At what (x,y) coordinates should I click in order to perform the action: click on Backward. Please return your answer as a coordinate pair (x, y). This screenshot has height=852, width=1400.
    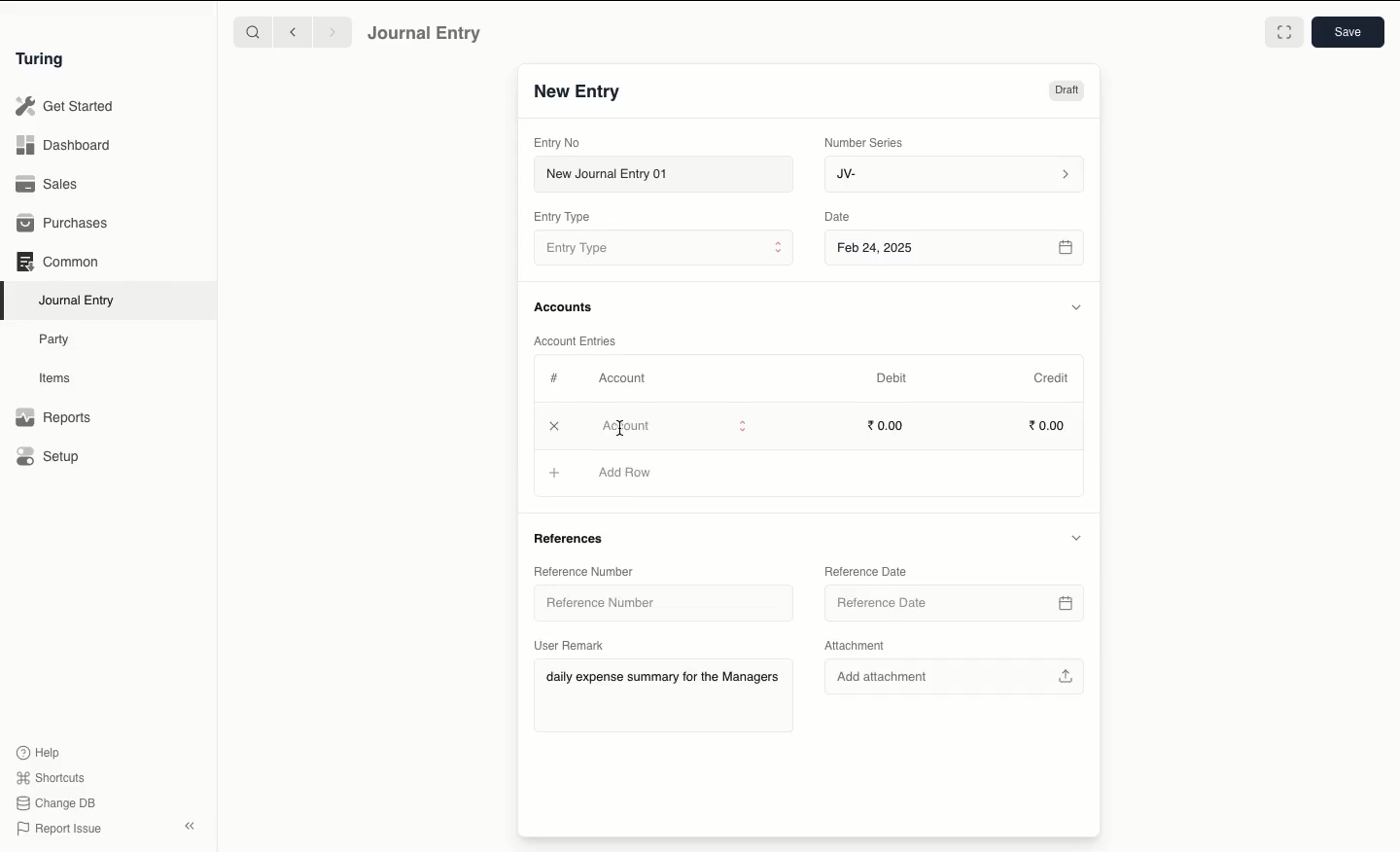
    Looking at the image, I should click on (293, 31).